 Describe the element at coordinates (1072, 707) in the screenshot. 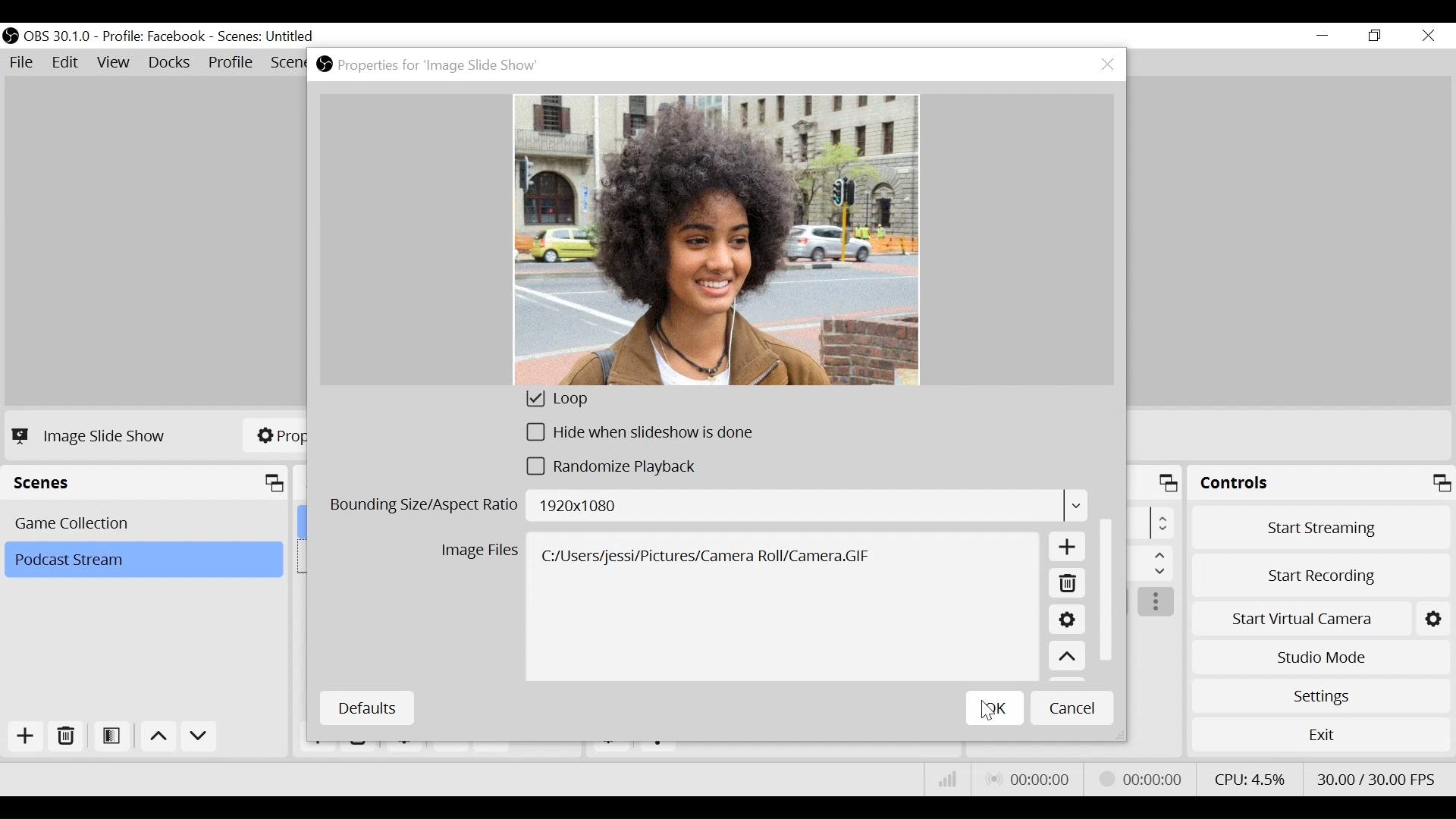

I see `Cancel` at that location.